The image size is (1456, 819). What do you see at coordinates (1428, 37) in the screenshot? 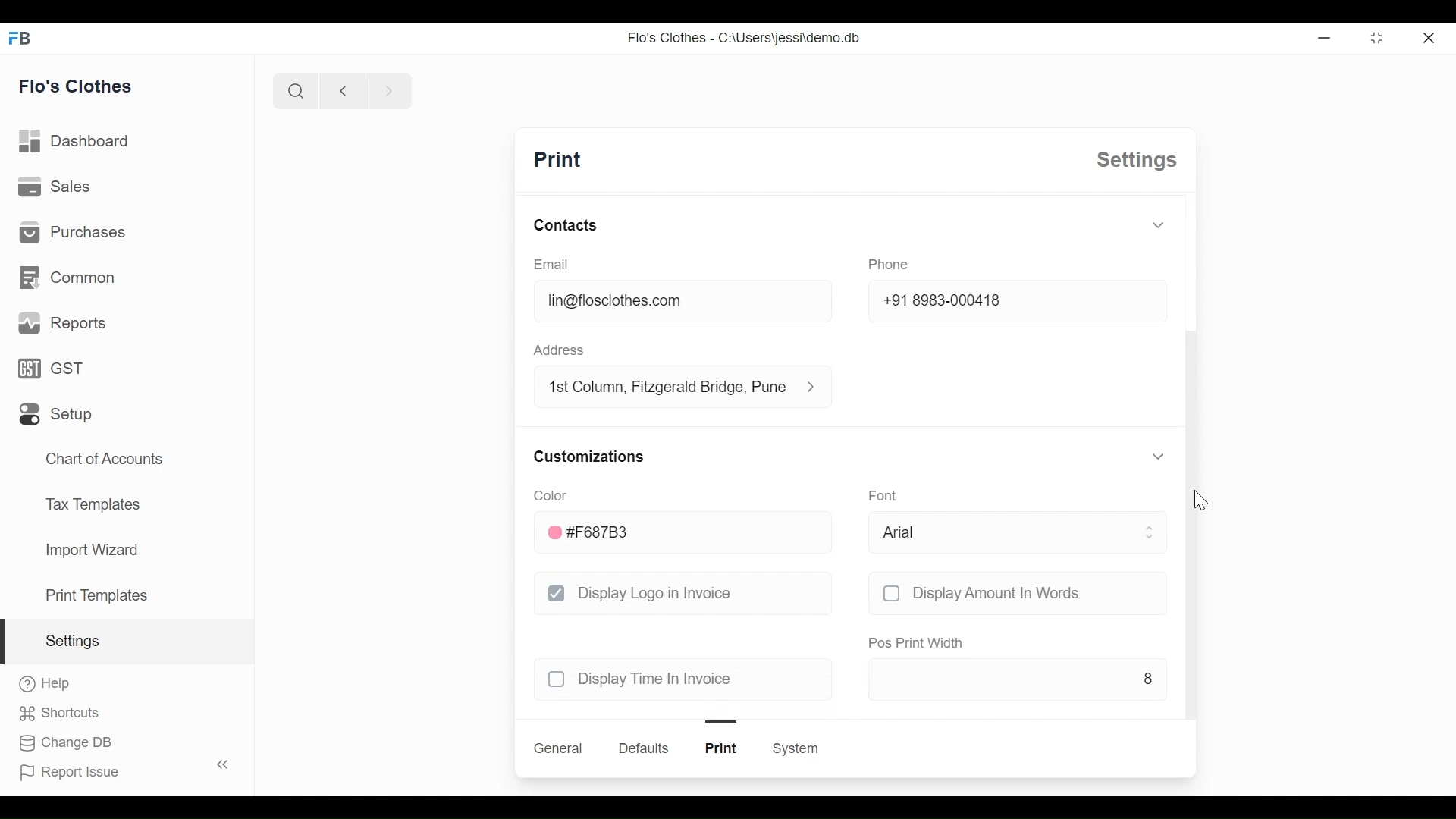
I see `close` at bounding box center [1428, 37].